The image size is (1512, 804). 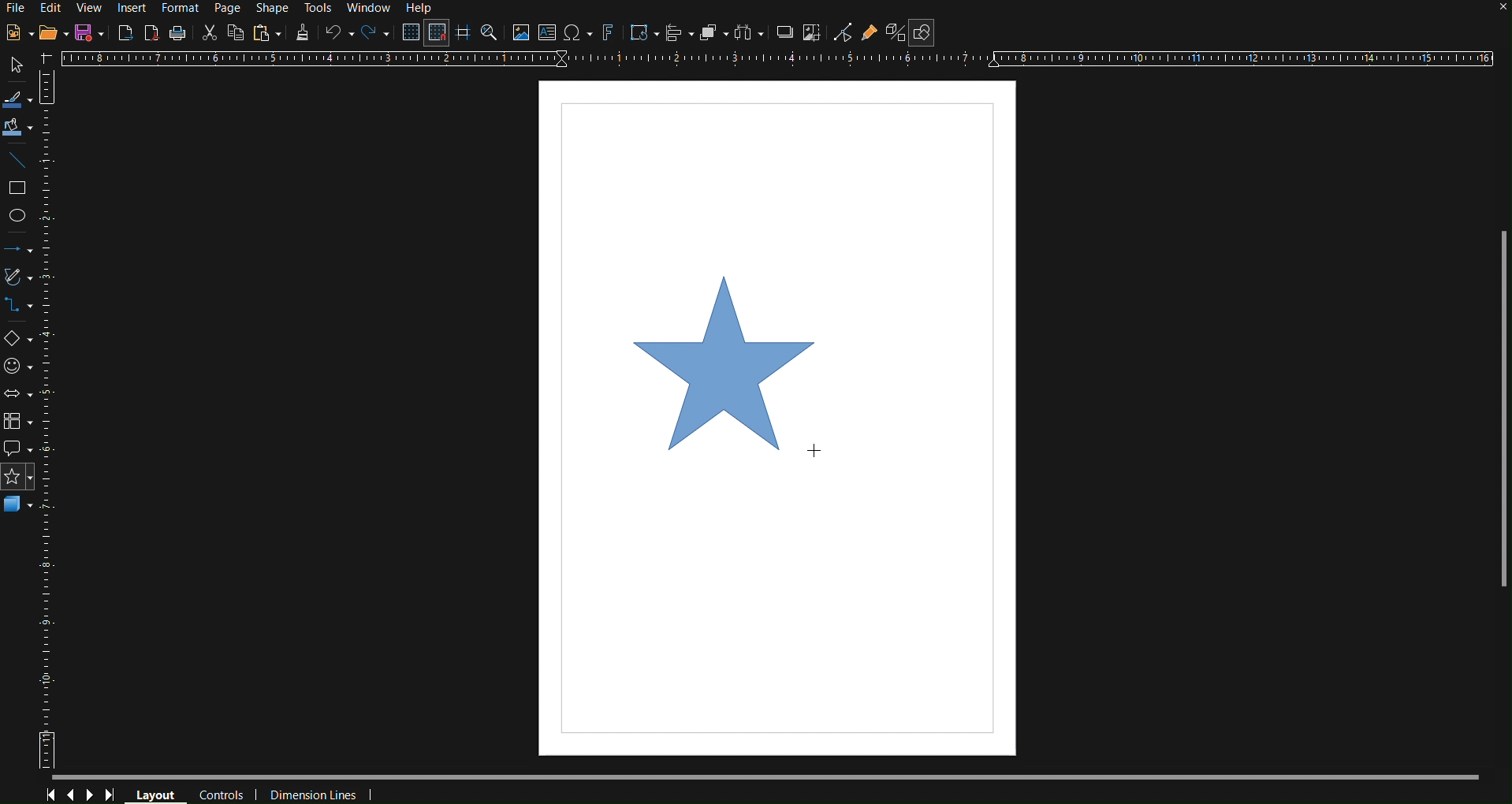 I want to click on Flowchart, so click(x=20, y=423).